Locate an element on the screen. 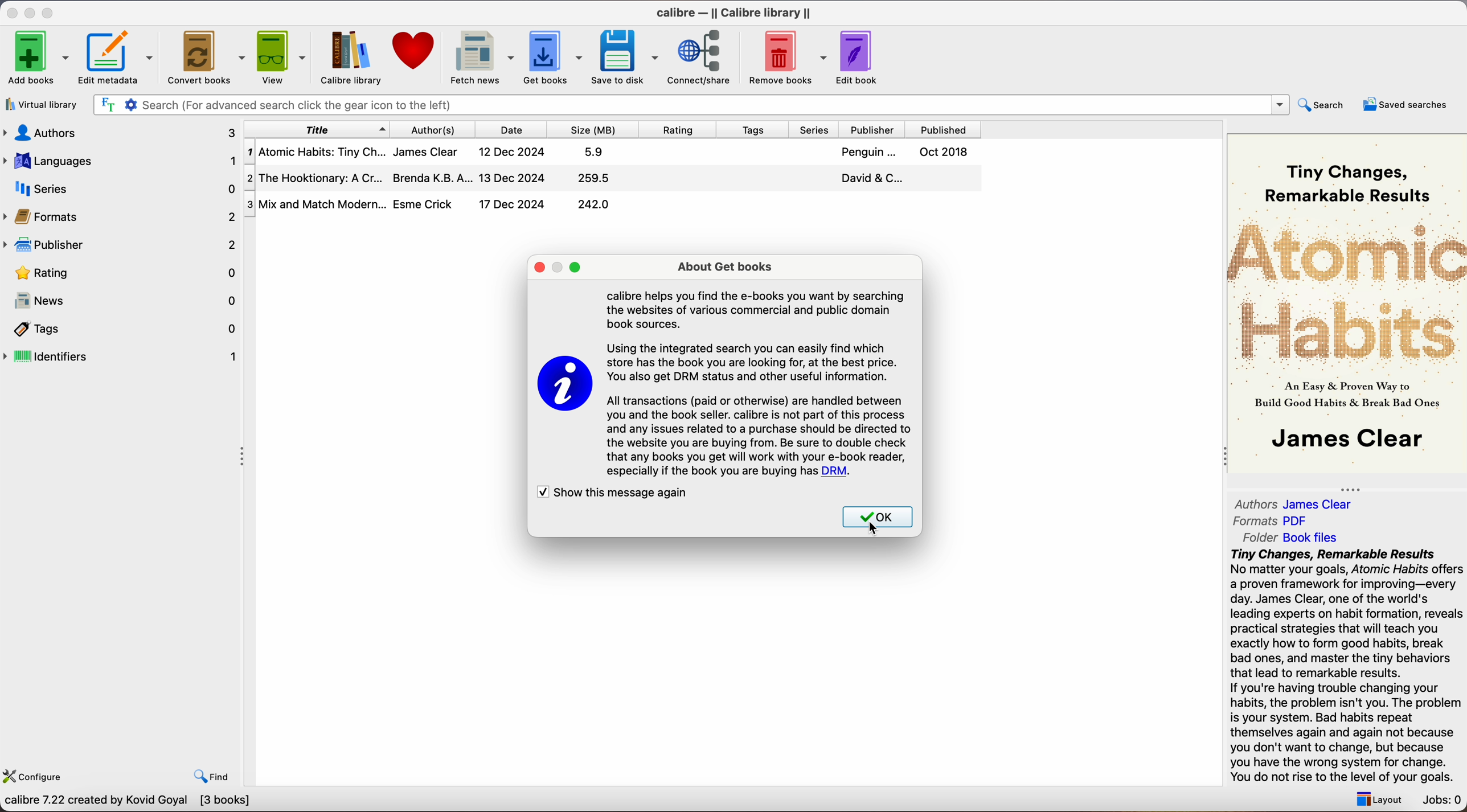 This screenshot has height=812, width=1467. 242.0 is located at coordinates (595, 206).